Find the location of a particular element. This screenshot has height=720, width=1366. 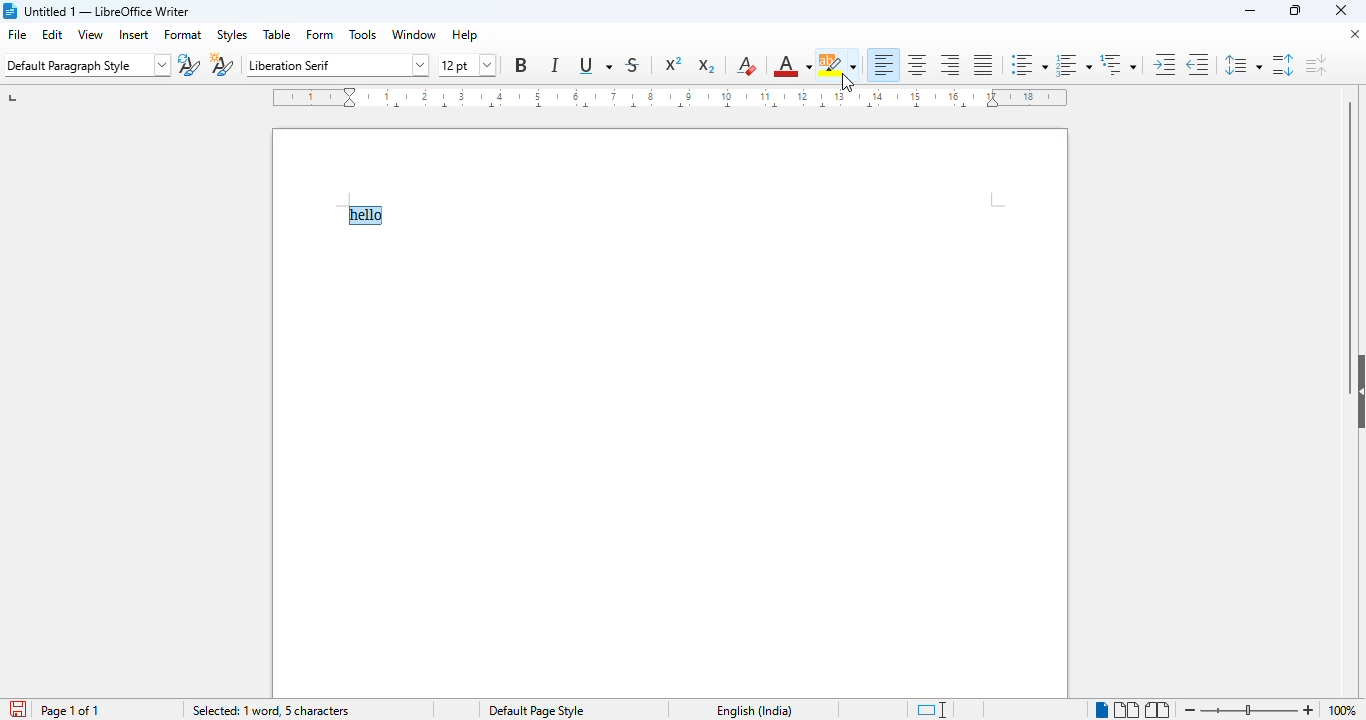

view is located at coordinates (90, 34).